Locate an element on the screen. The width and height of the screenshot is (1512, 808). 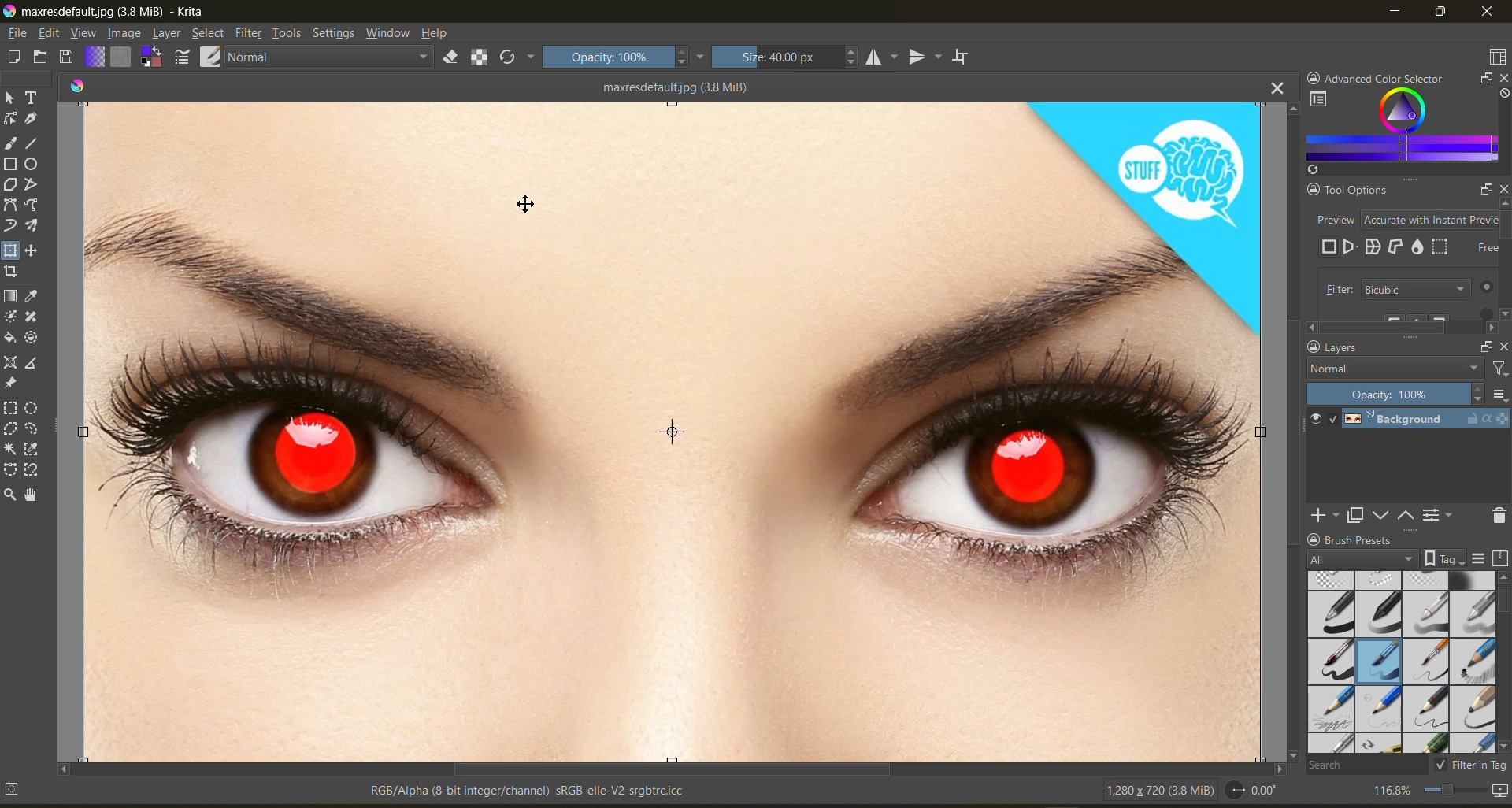
duplicate layer or mask is located at coordinates (1355, 516).